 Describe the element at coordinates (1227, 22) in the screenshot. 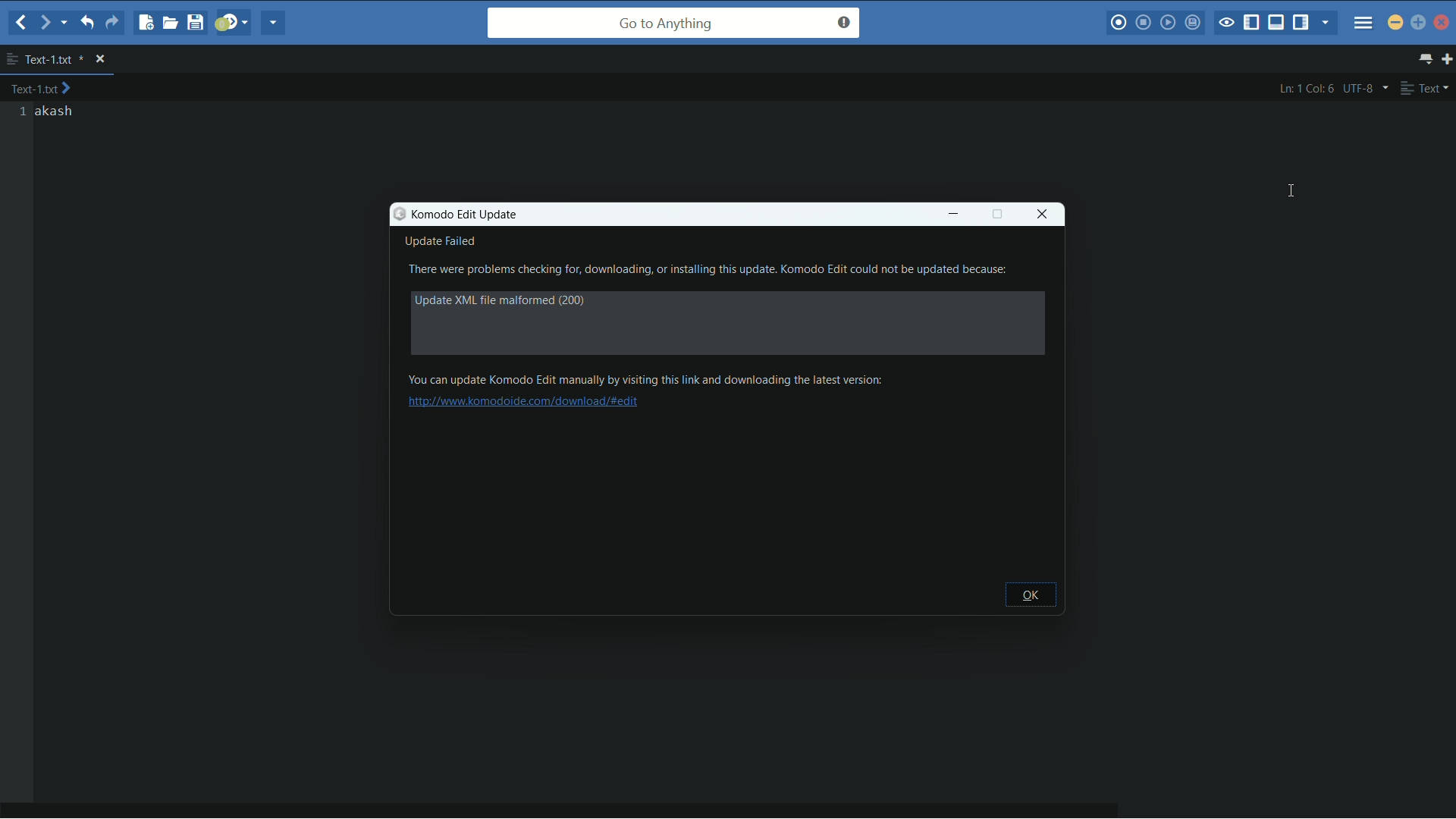

I see `toggle focus mode` at that location.